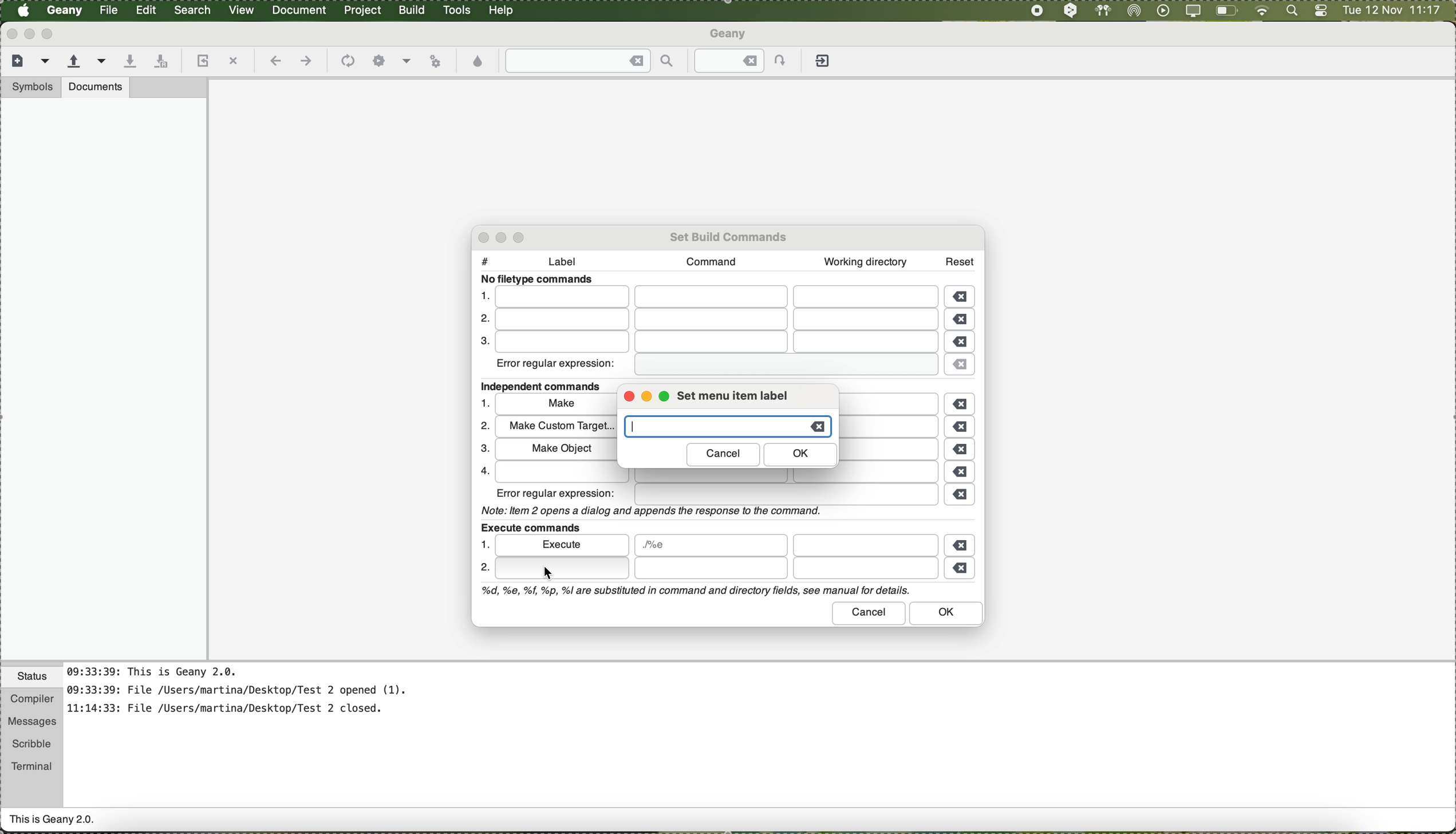 This screenshot has width=1456, height=834. What do you see at coordinates (667, 398) in the screenshot?
I see `maximize` at bounding box center [667, 398].